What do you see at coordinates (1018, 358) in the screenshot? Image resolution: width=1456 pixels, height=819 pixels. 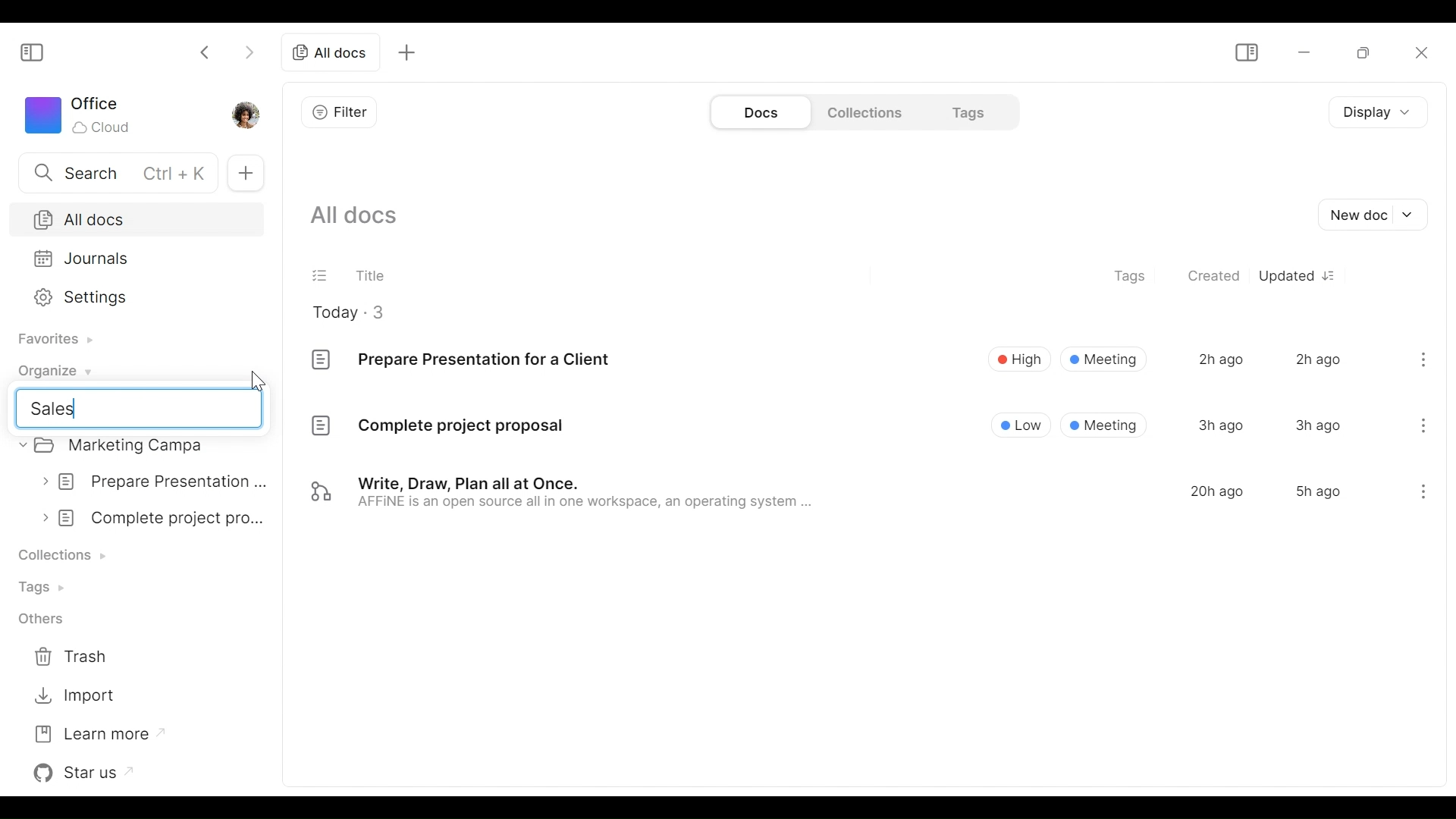 I see `High` at bounding box center [1018, 358].